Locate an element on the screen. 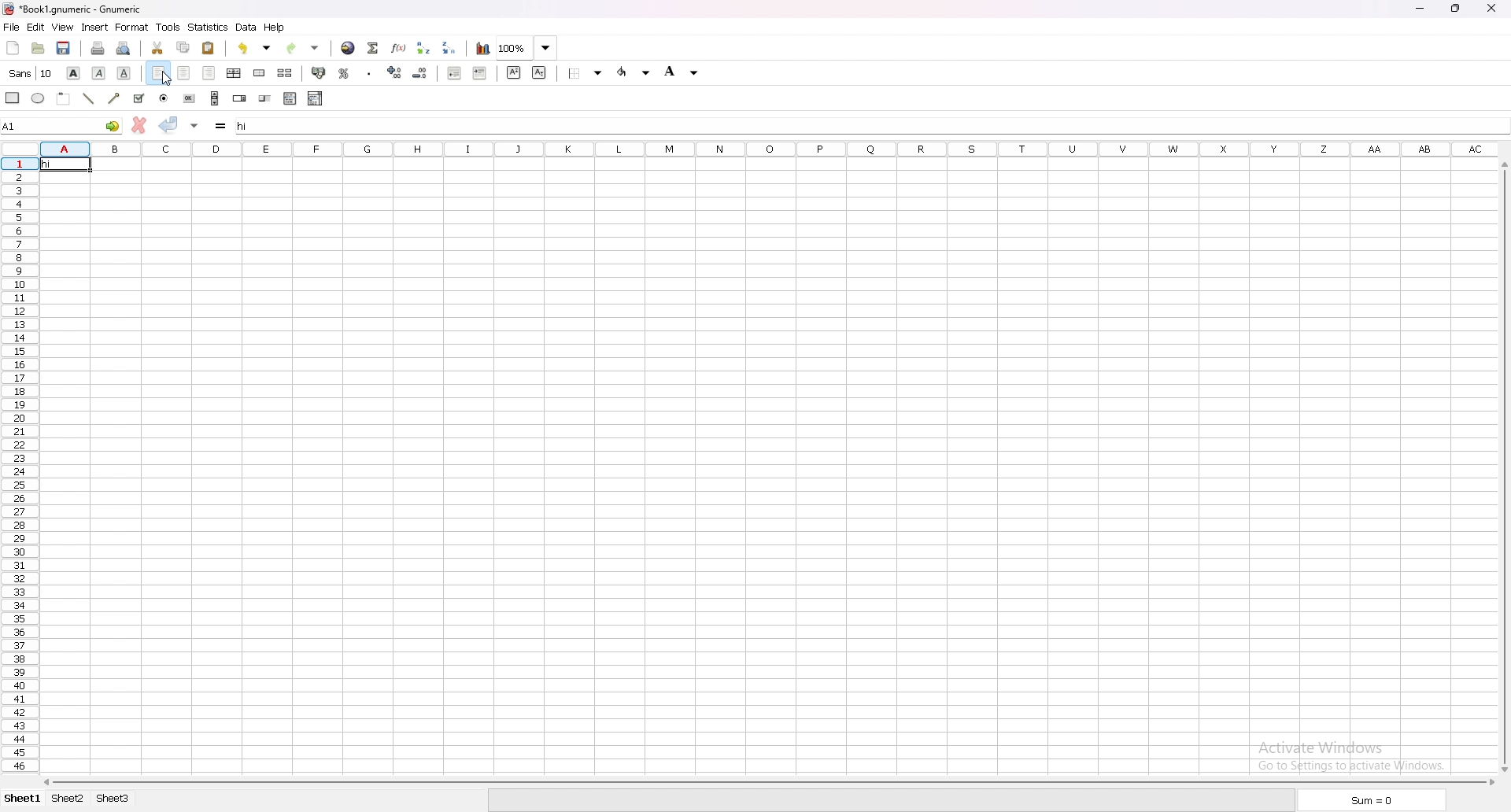 This screenshot has width=1511, height=812. file is located at coordinates (12, 28).